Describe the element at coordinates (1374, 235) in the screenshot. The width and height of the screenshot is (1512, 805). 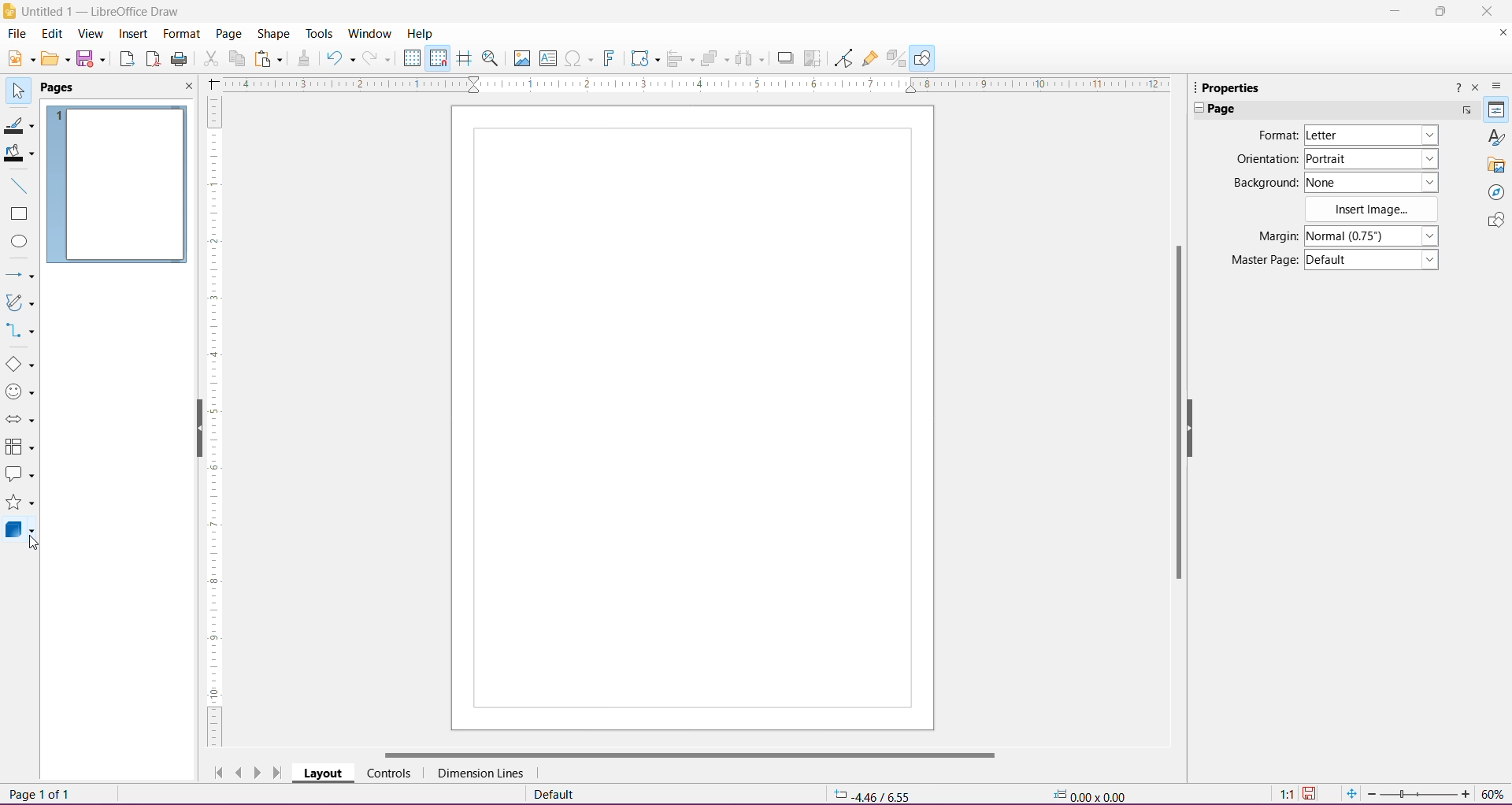
I see `Set page margin dimensions` at that location.